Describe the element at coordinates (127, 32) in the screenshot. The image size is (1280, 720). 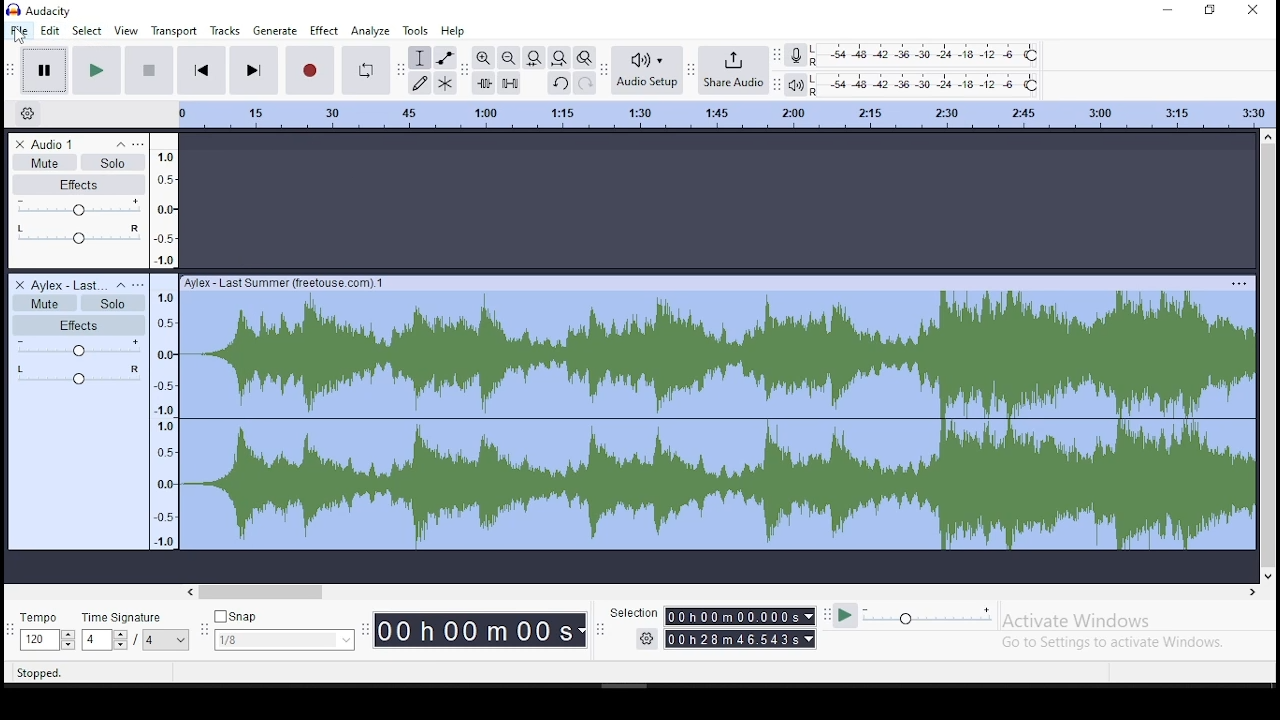
I see `view` at that location.